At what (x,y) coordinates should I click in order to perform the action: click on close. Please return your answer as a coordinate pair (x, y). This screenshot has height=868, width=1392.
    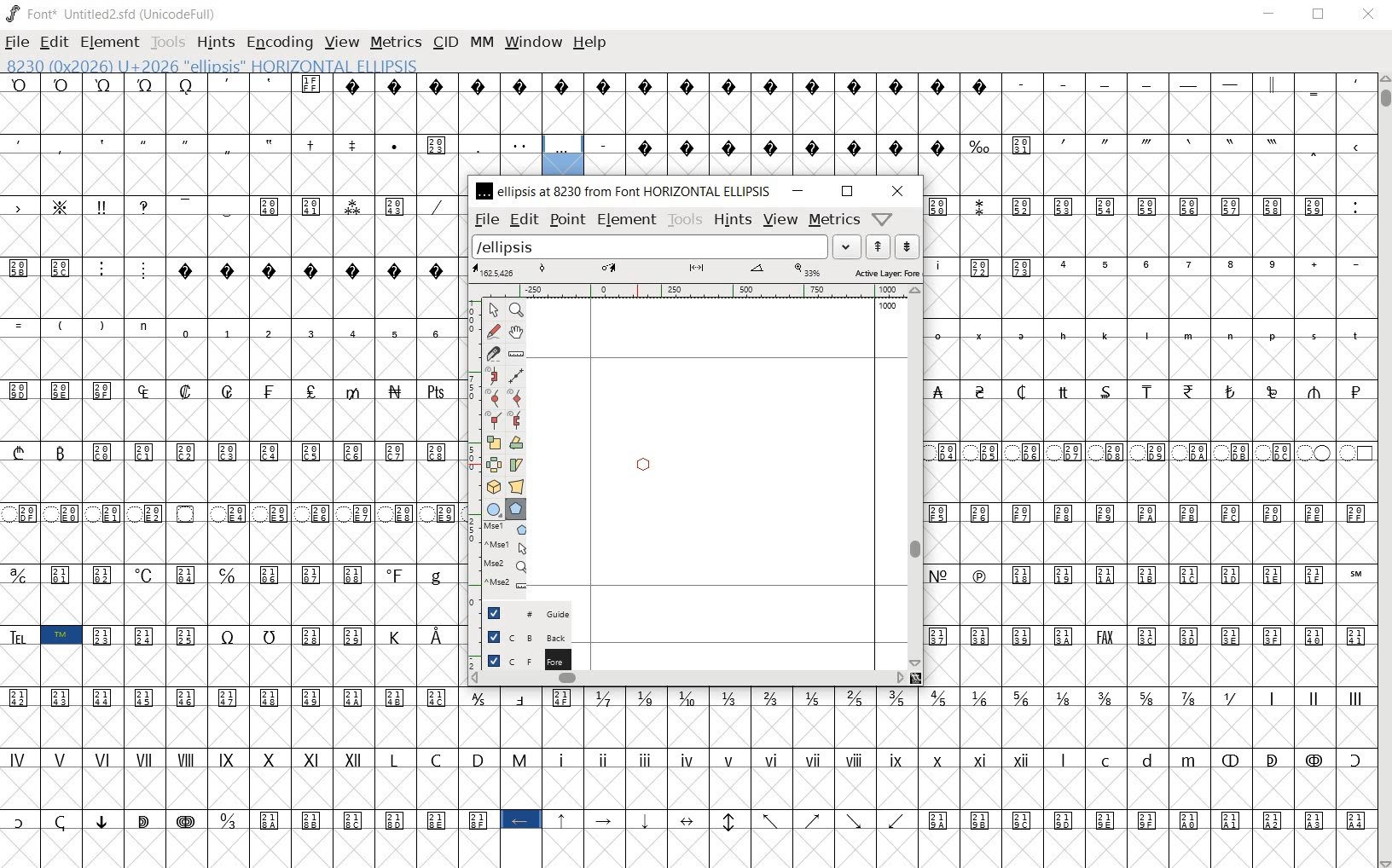
    Looking at the image, I should click on (896, 190).